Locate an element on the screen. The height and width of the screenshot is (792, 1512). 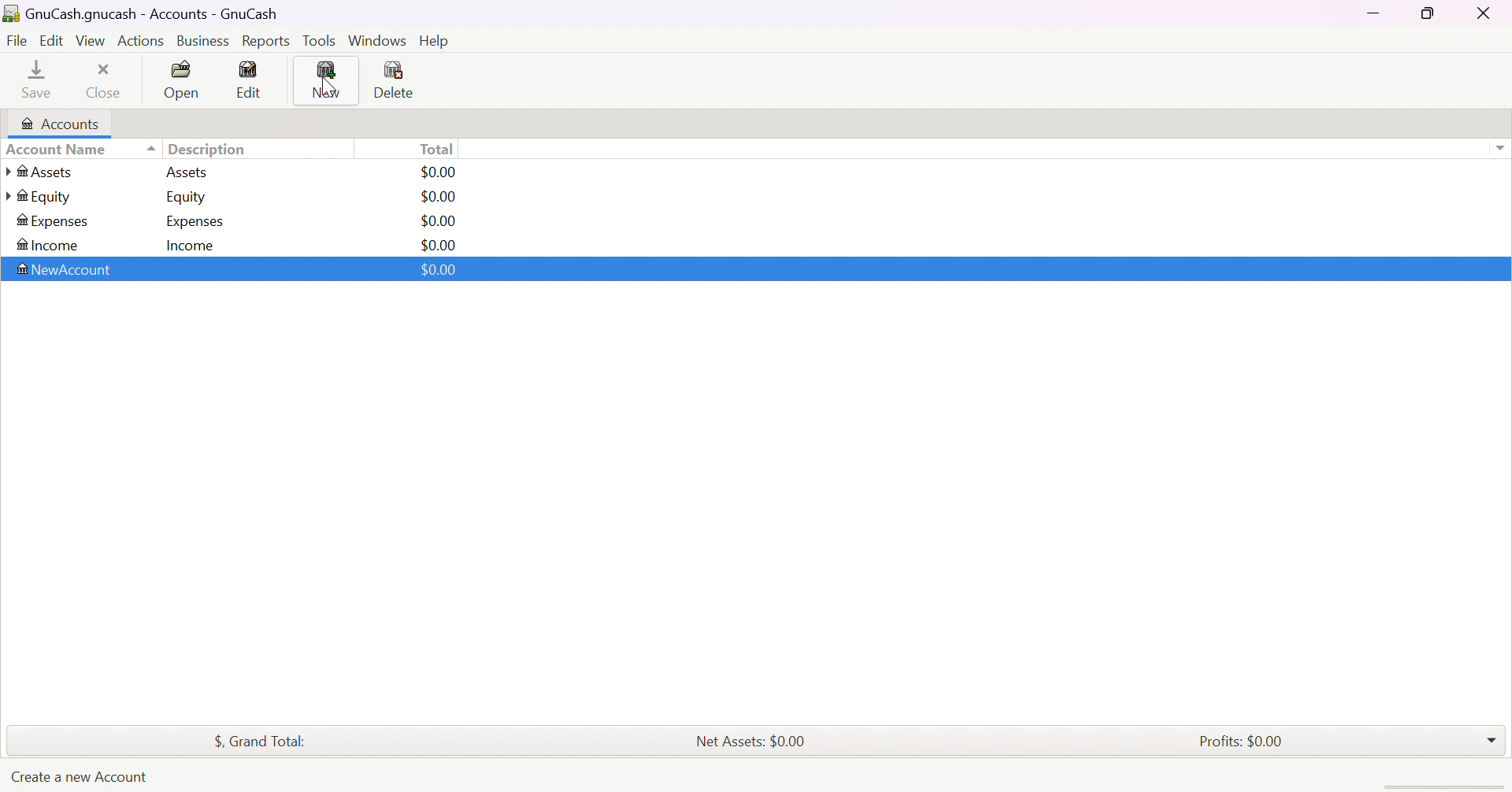
Net Assets: $0.00 is located at coordinates (753, 742).